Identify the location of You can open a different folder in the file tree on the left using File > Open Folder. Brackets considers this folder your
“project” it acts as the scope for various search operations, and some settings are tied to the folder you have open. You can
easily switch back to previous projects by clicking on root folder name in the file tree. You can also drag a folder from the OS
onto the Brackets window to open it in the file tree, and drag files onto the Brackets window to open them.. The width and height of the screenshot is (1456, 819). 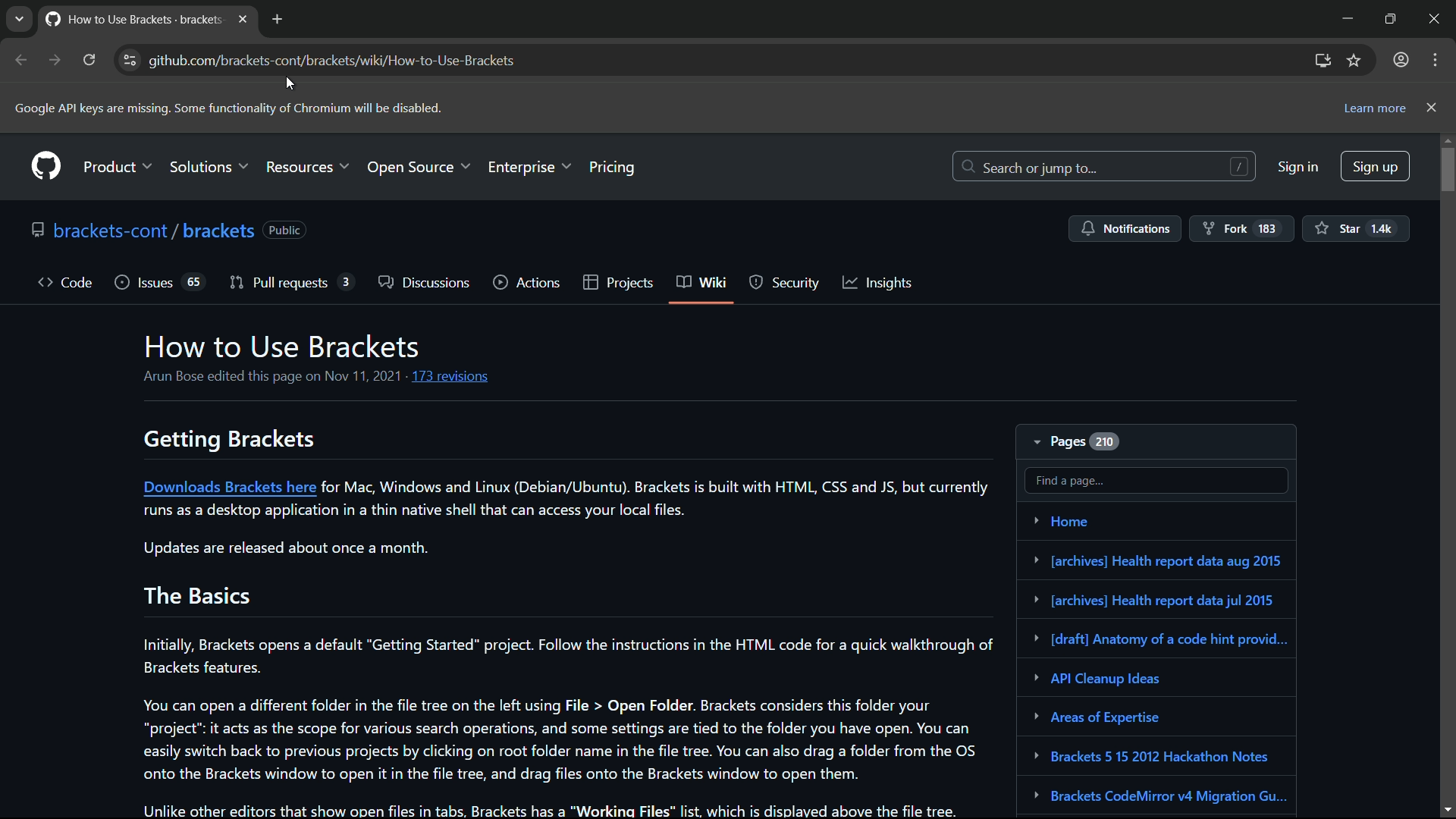
(548, 752).